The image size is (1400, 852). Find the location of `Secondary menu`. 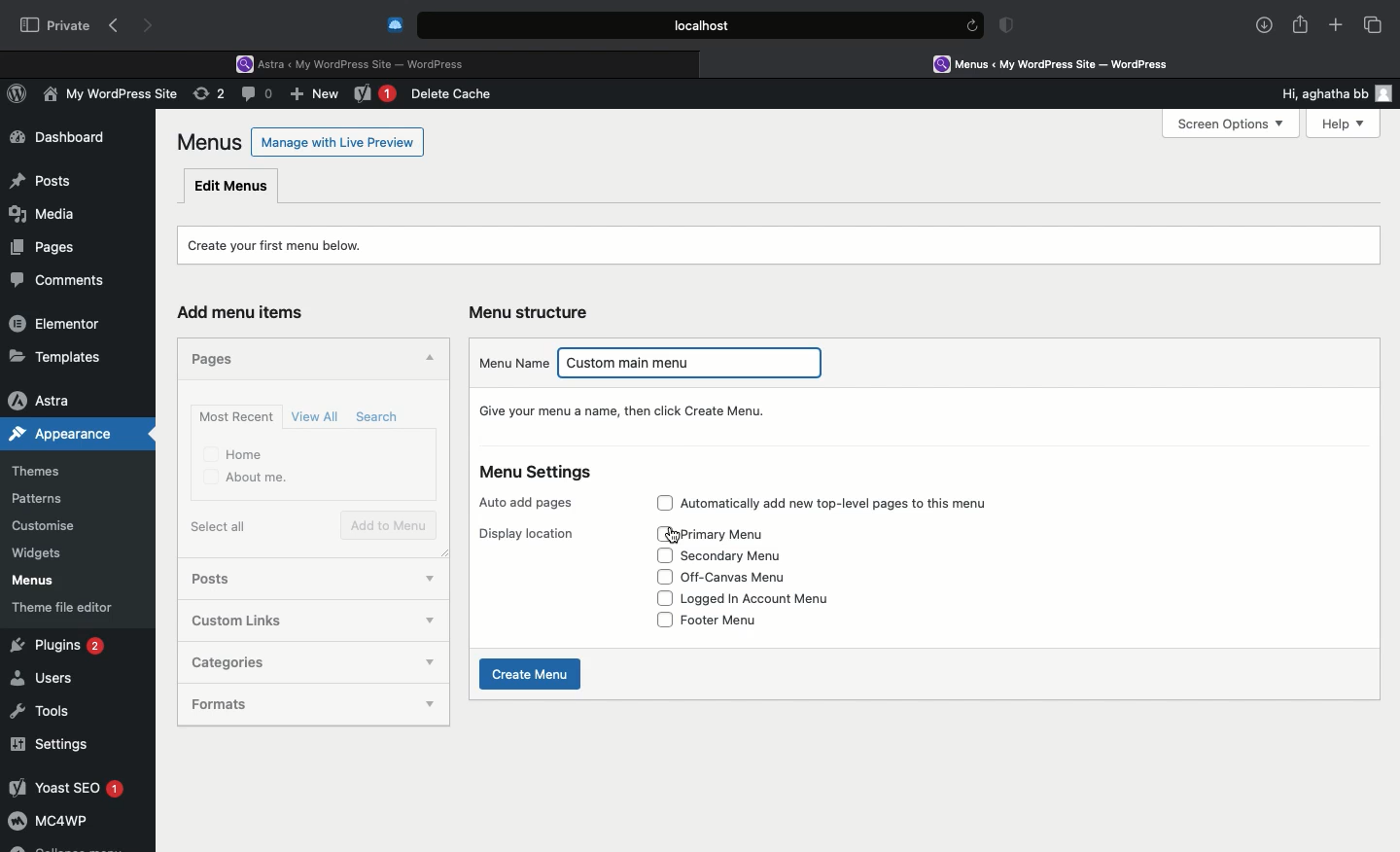

Secondary menu is located at coordinates (742, 555).